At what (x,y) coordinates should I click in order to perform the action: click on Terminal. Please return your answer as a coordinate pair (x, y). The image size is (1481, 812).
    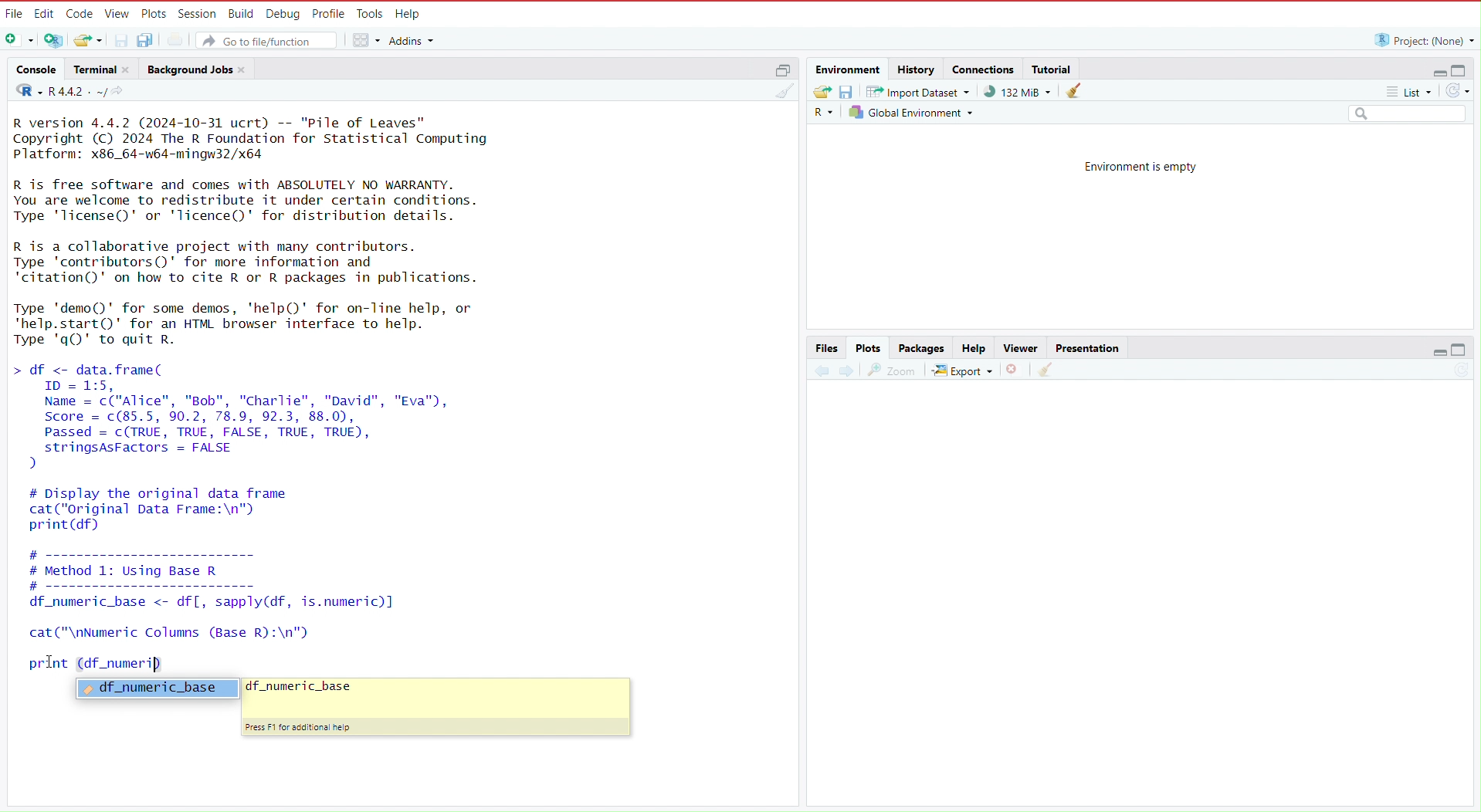
    Looking at the image, I should click on (92, 67).